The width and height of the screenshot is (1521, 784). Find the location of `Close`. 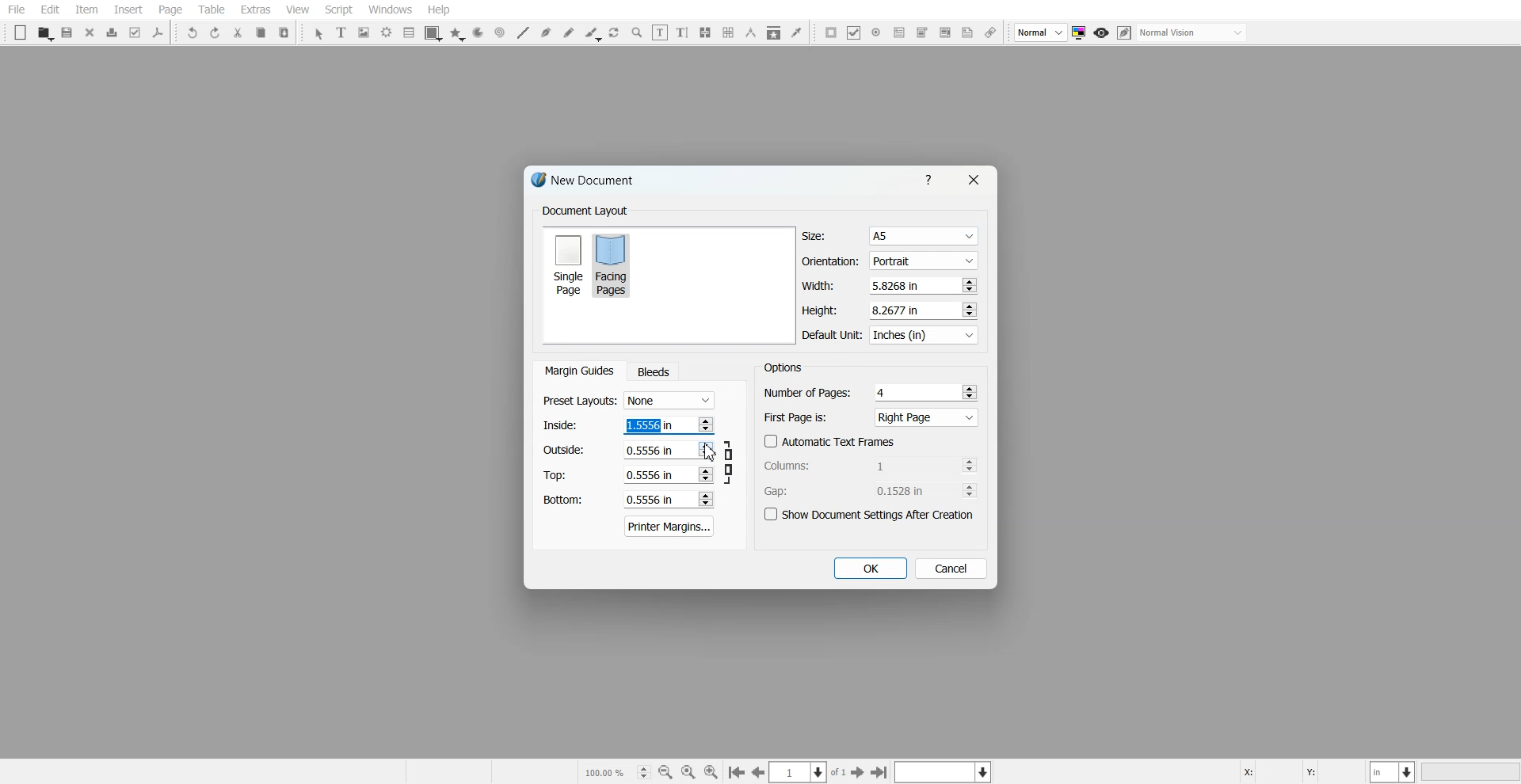

Close is located at coordinates (972, 180).